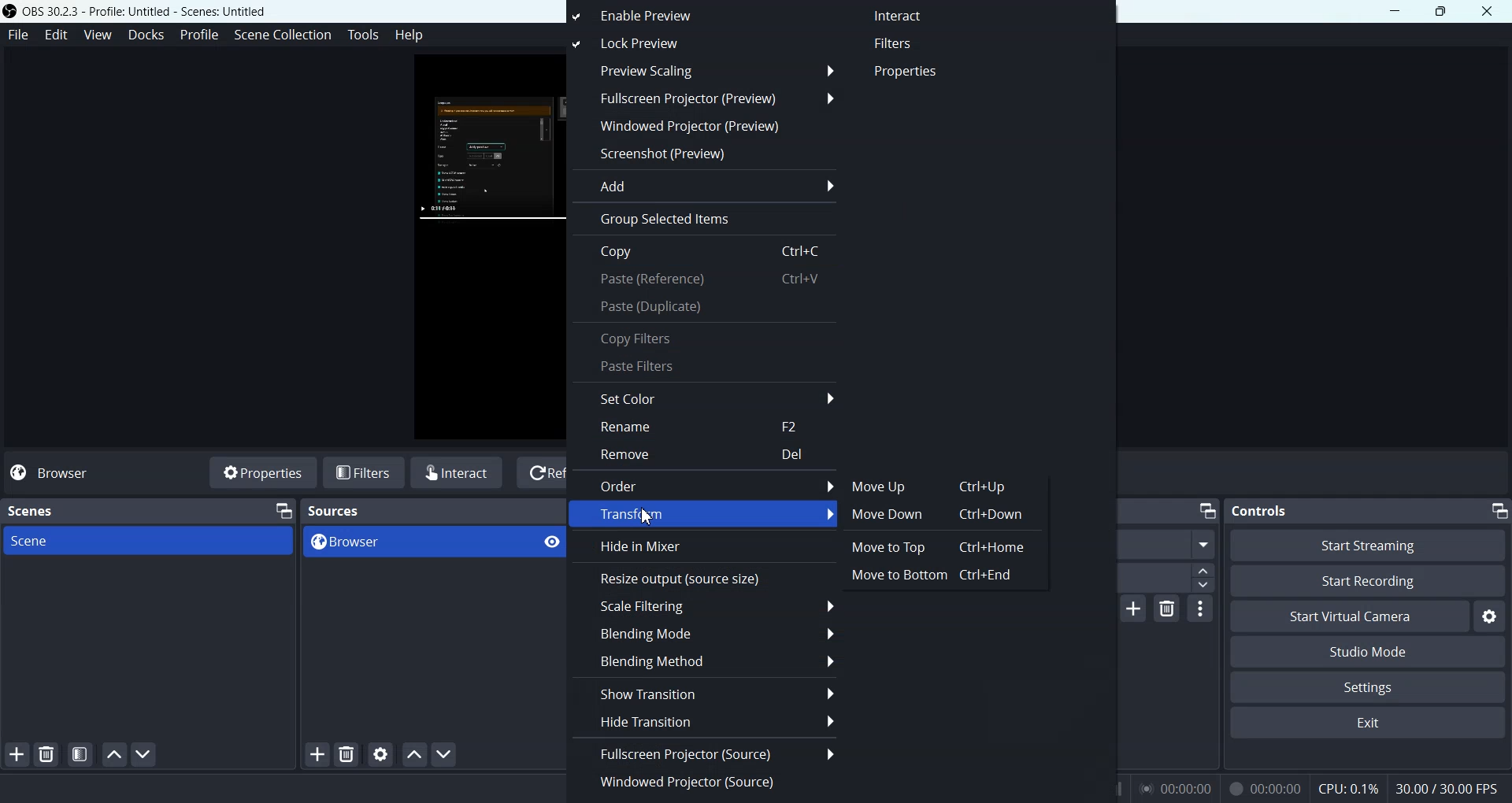 This screenshot has height=803, width=1512. I want to click on Studio Mode, so click(1366, 651).